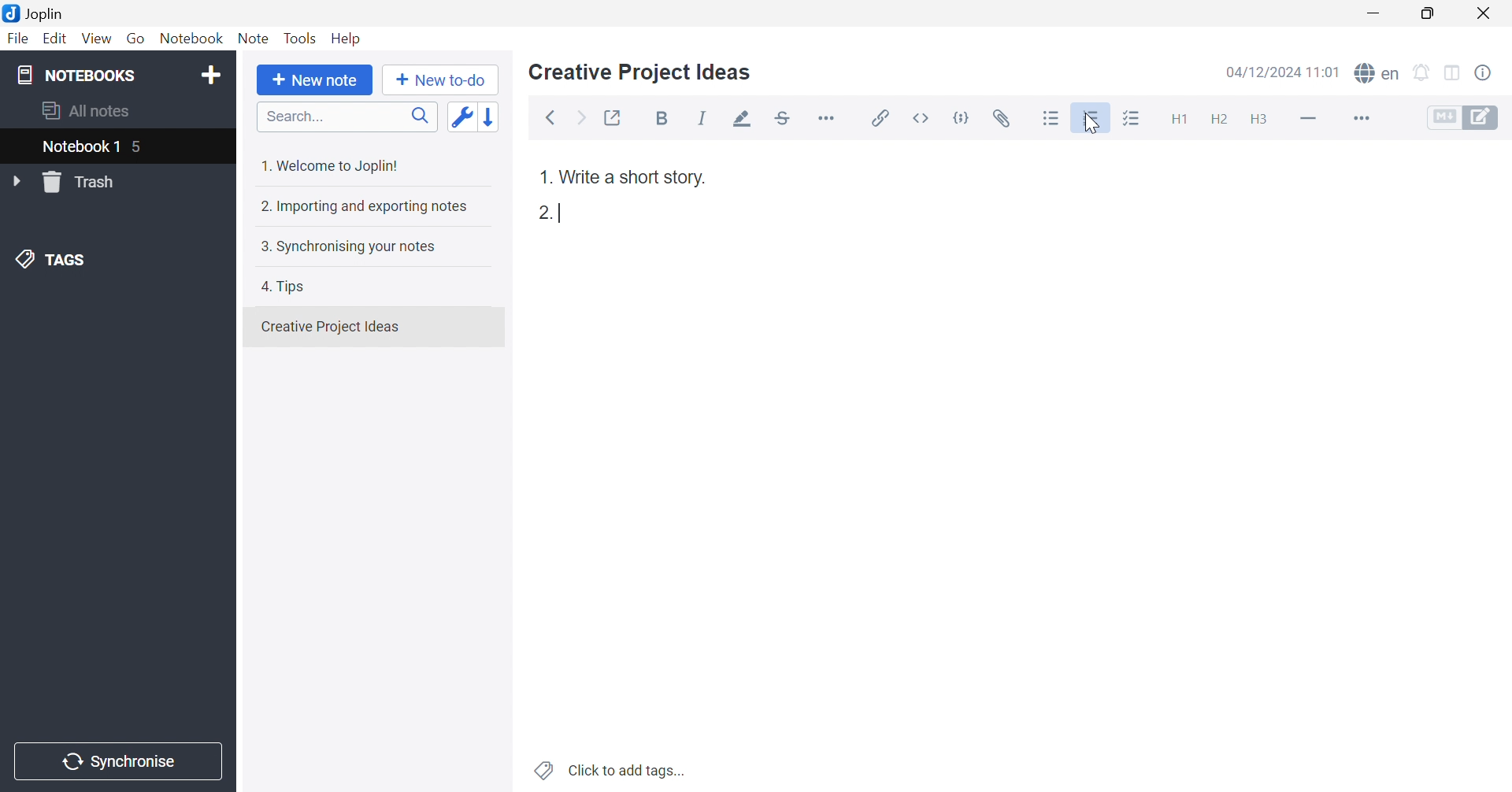  What do you see at coordinates (350, 247) in the screenshot?
I see `3. Synchronising your notes` at bounding box center [350, 247].